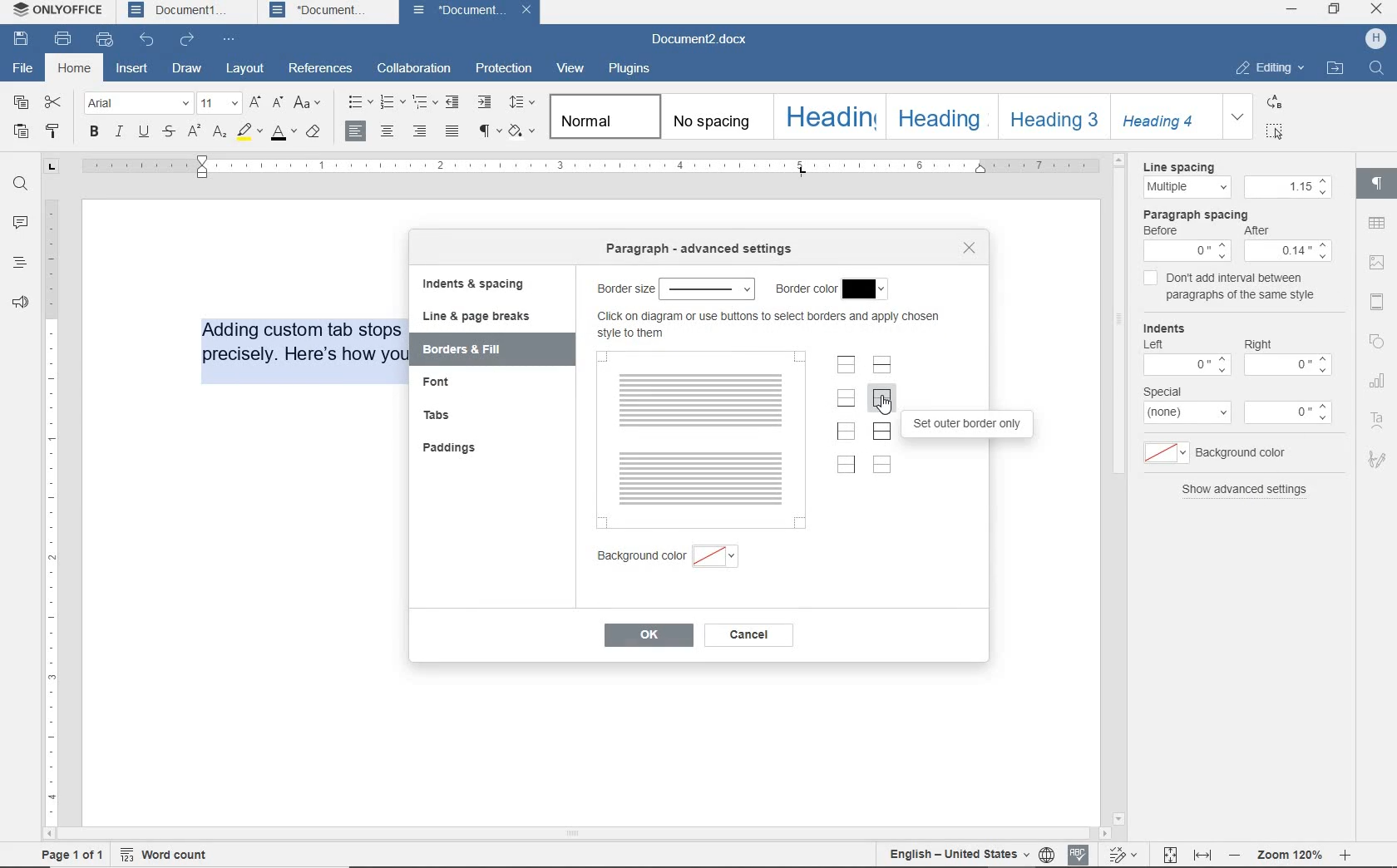 Image resolution: width=1397 pixels, height=868 pixels. I want to click on checkbox, so click(1148, 279).